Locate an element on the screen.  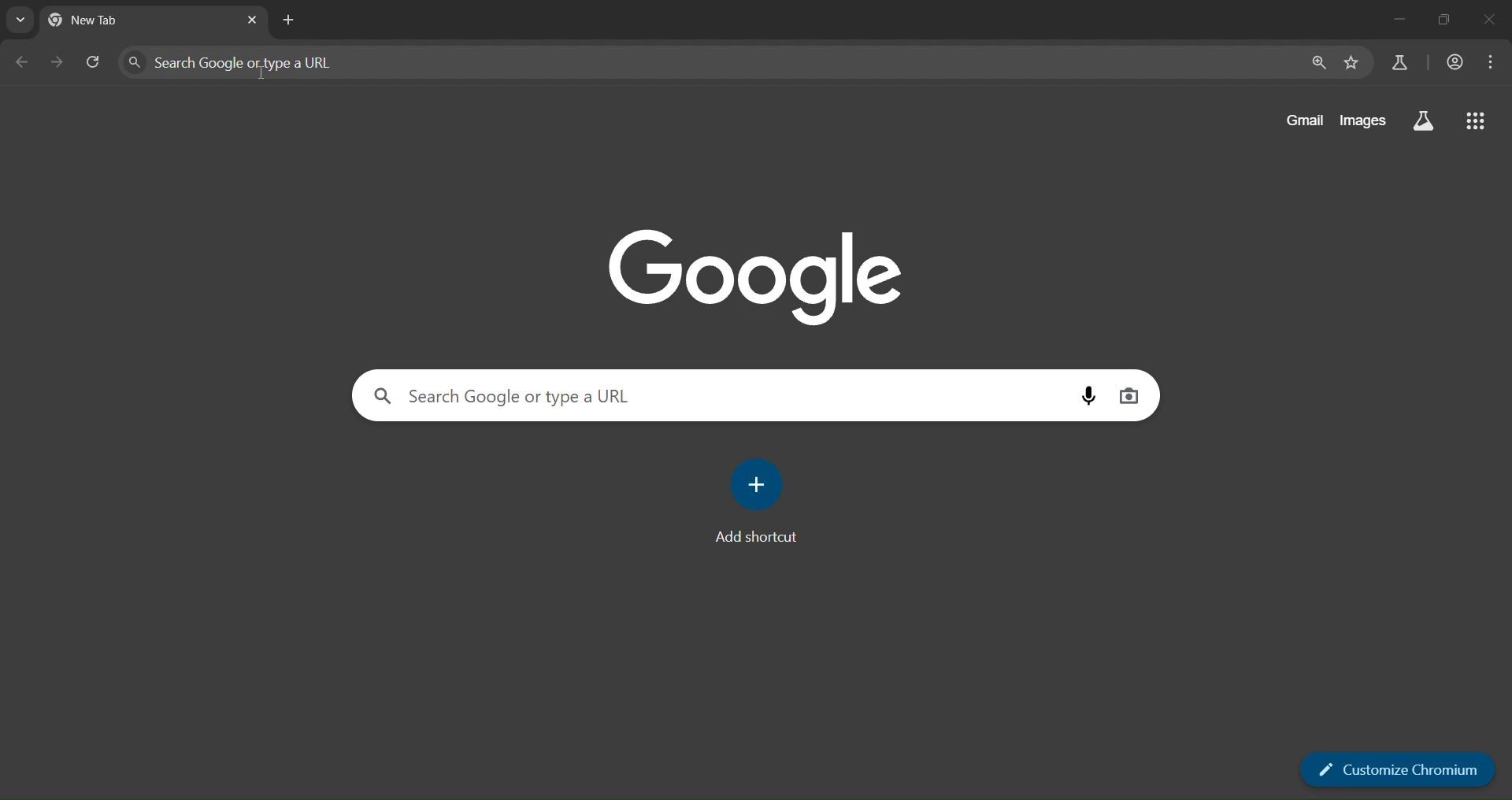
customize chromium is located at coordinates (1400, 772).